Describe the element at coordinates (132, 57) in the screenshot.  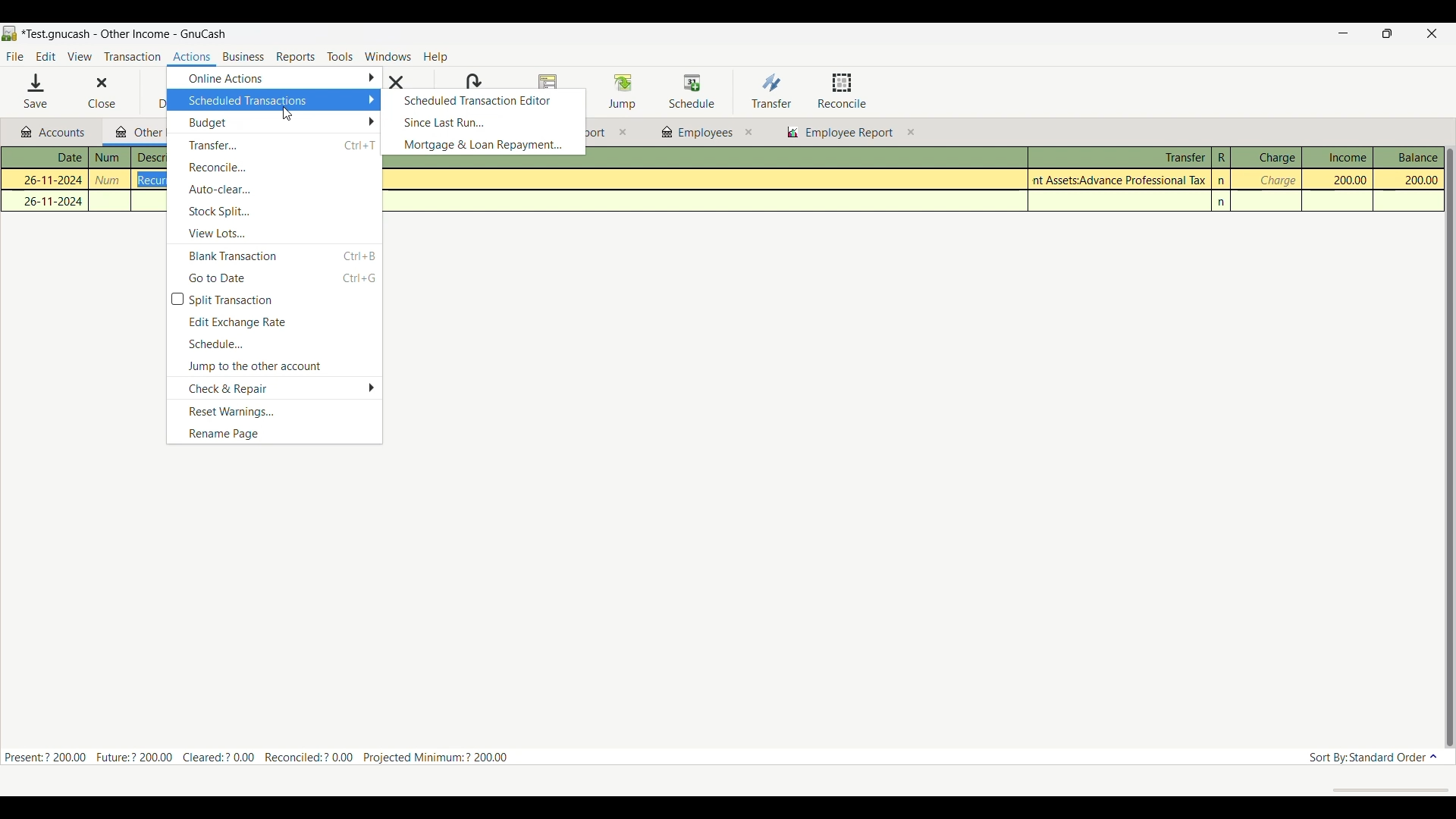
I see `Transaction menu` at that location.